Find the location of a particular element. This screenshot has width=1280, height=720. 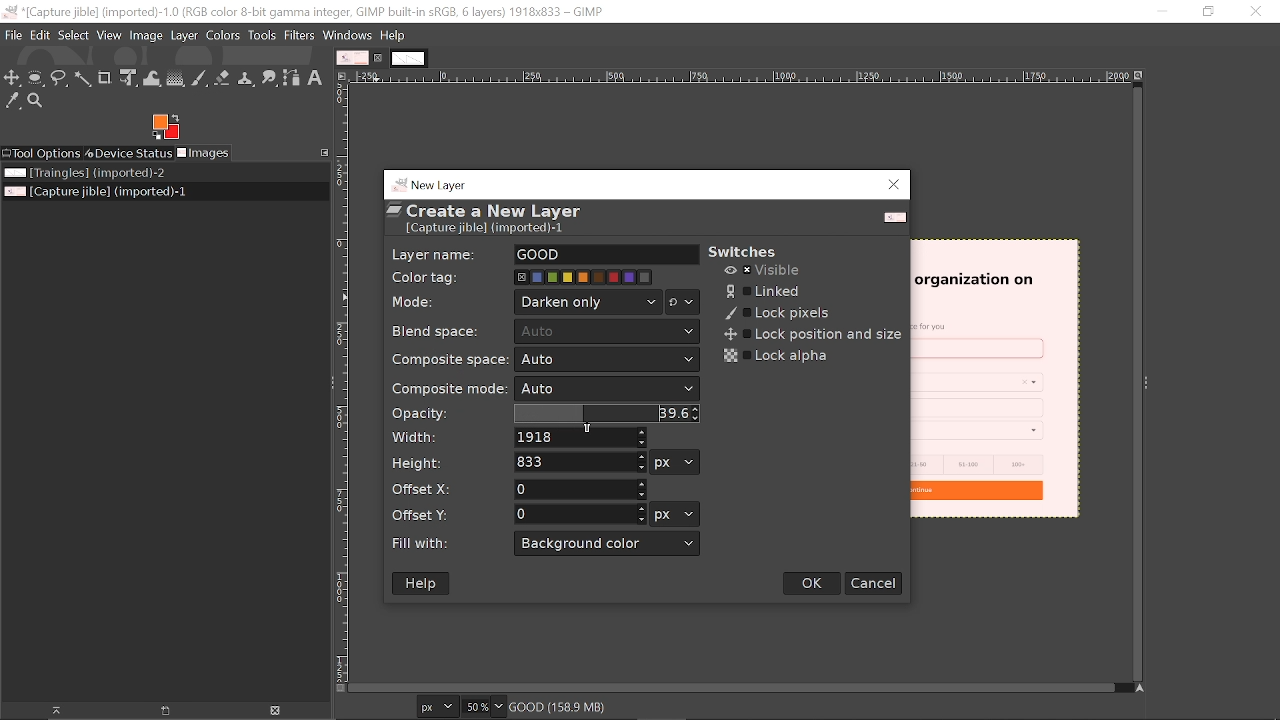

Toggle quick mask on/off is located at coordinates (339, 690).